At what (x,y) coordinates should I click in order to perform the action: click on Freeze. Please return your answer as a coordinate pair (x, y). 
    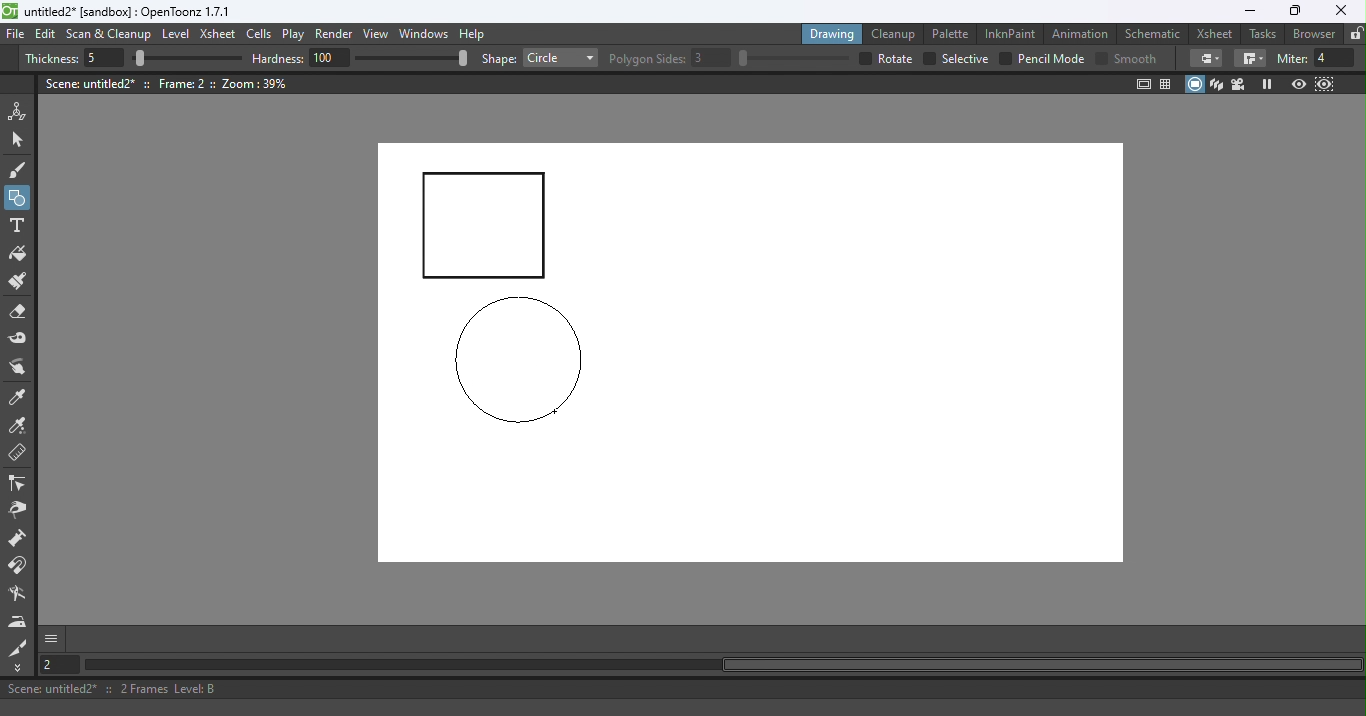
    Looking at the image, I should click on (1267, 84).